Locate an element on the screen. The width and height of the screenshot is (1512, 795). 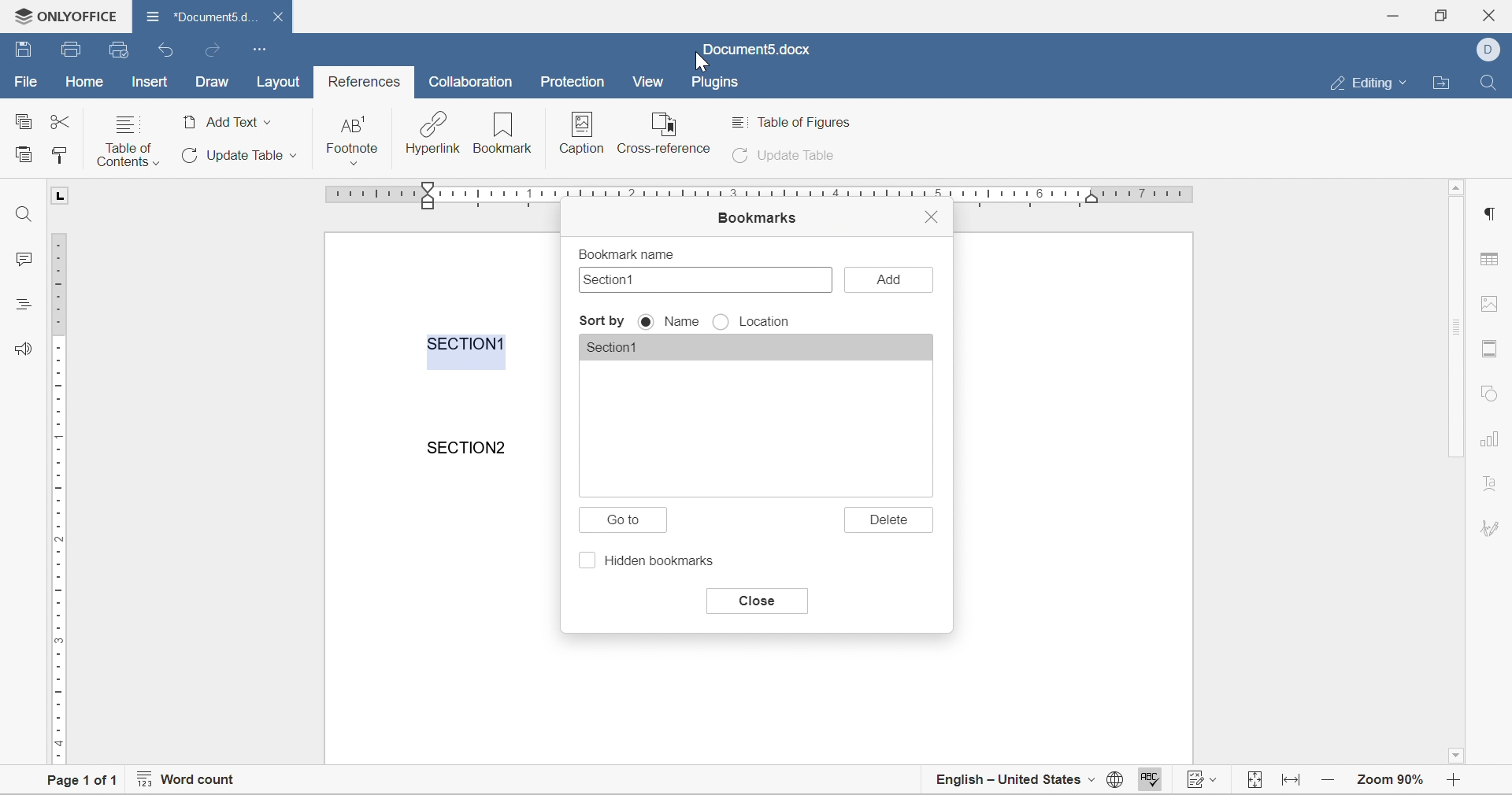
find is located at coordinates (1488, 80).